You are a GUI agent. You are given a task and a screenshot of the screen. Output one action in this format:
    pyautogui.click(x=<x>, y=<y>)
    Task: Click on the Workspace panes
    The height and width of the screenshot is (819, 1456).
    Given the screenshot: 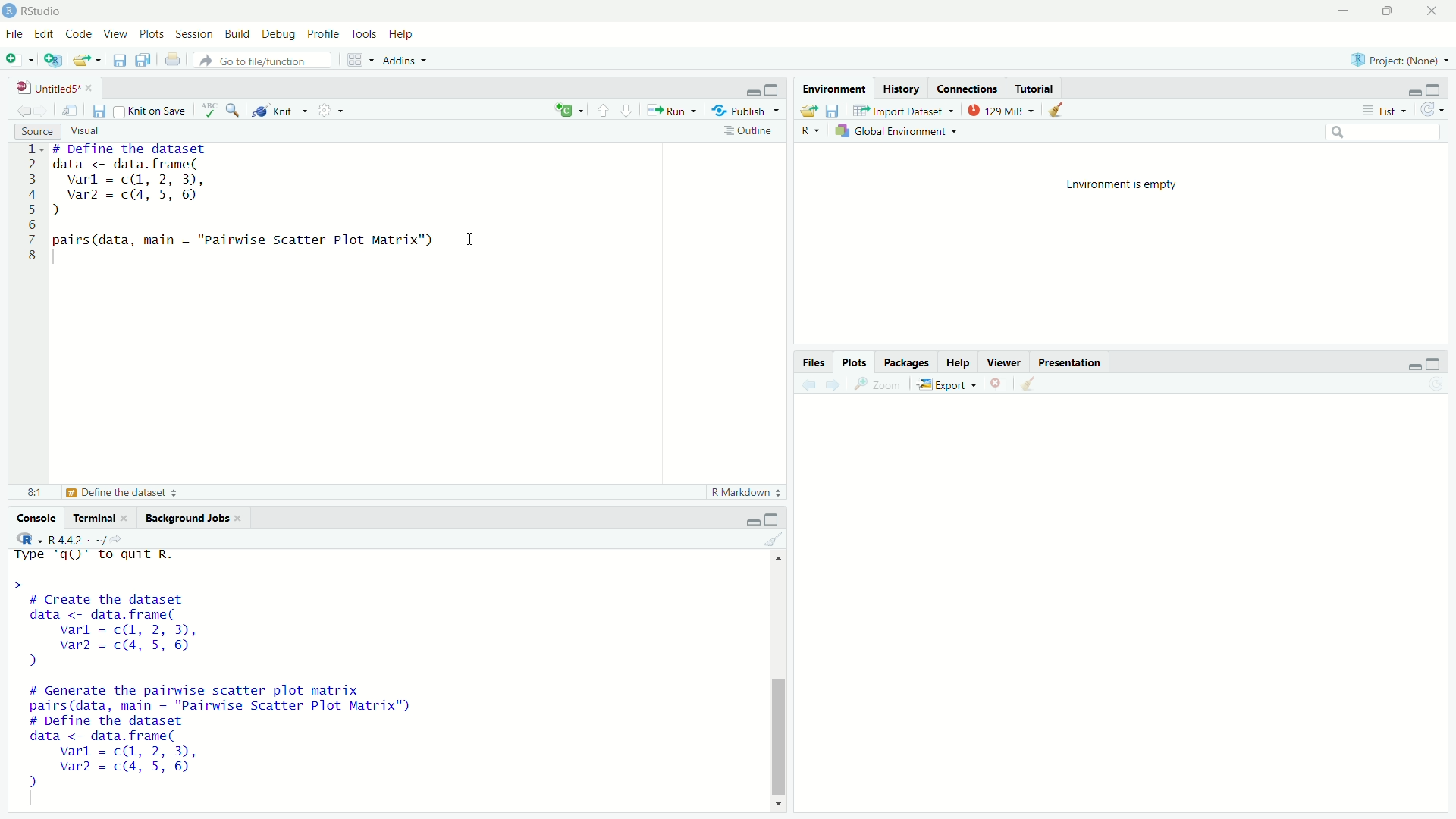 What is the action you would take?
    pyautogui.click(x=357, y=58)
    